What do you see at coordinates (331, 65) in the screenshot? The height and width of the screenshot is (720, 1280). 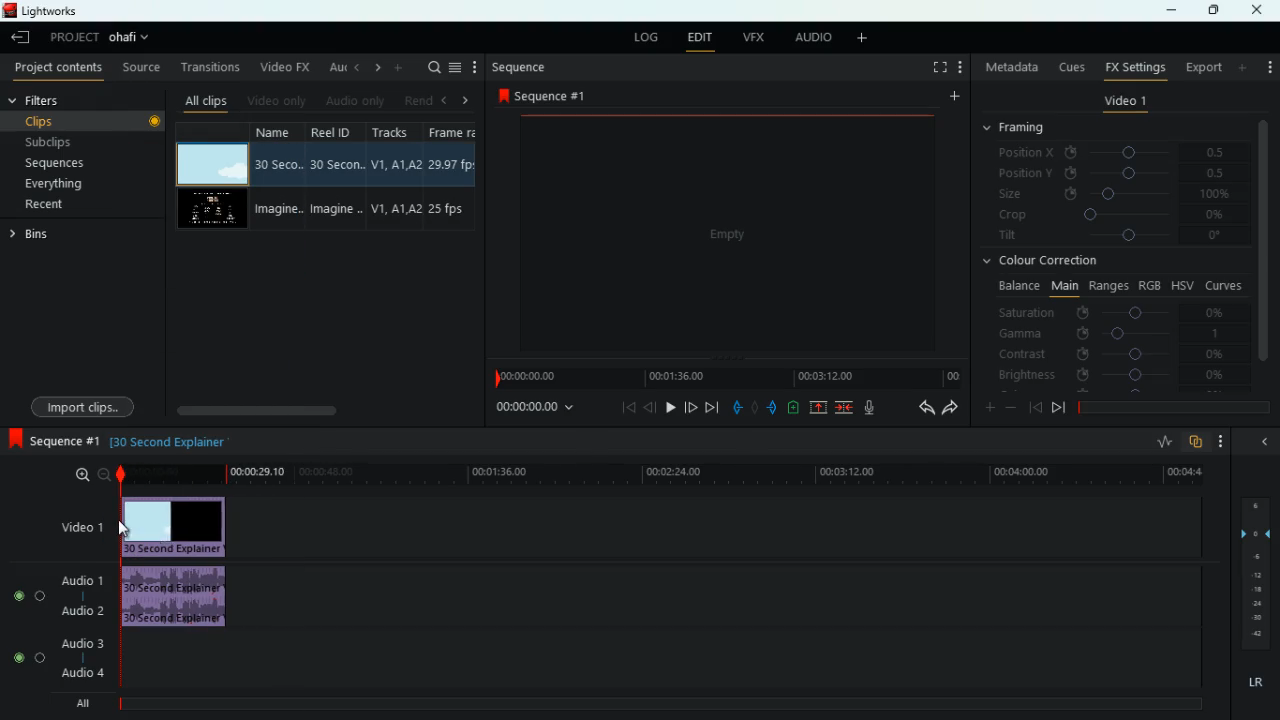 I see `au` at bounding box center [331, 65].